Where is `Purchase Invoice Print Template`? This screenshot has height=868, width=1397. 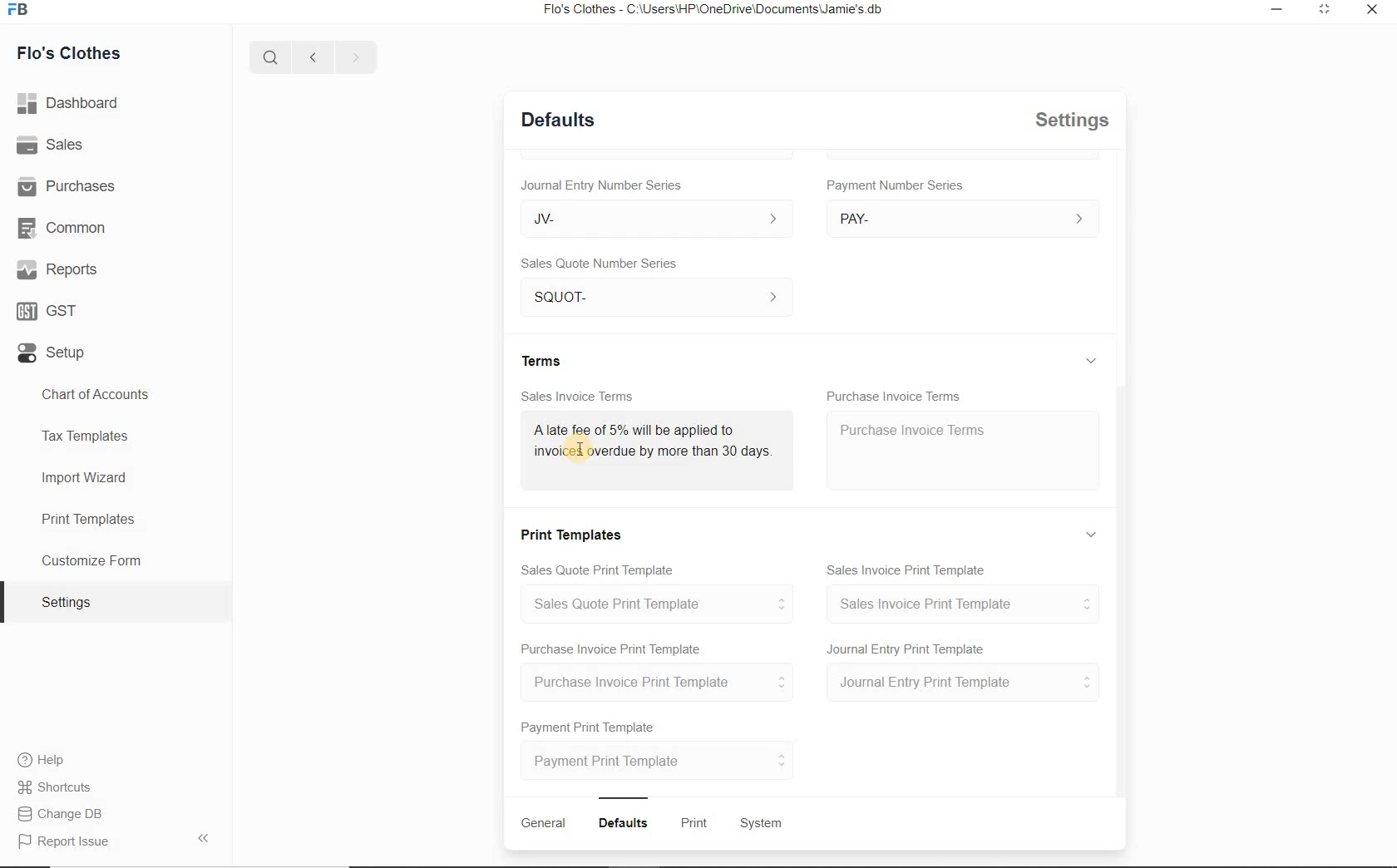
Purchase Invoice Print Template is located at coordinates (663, 683).